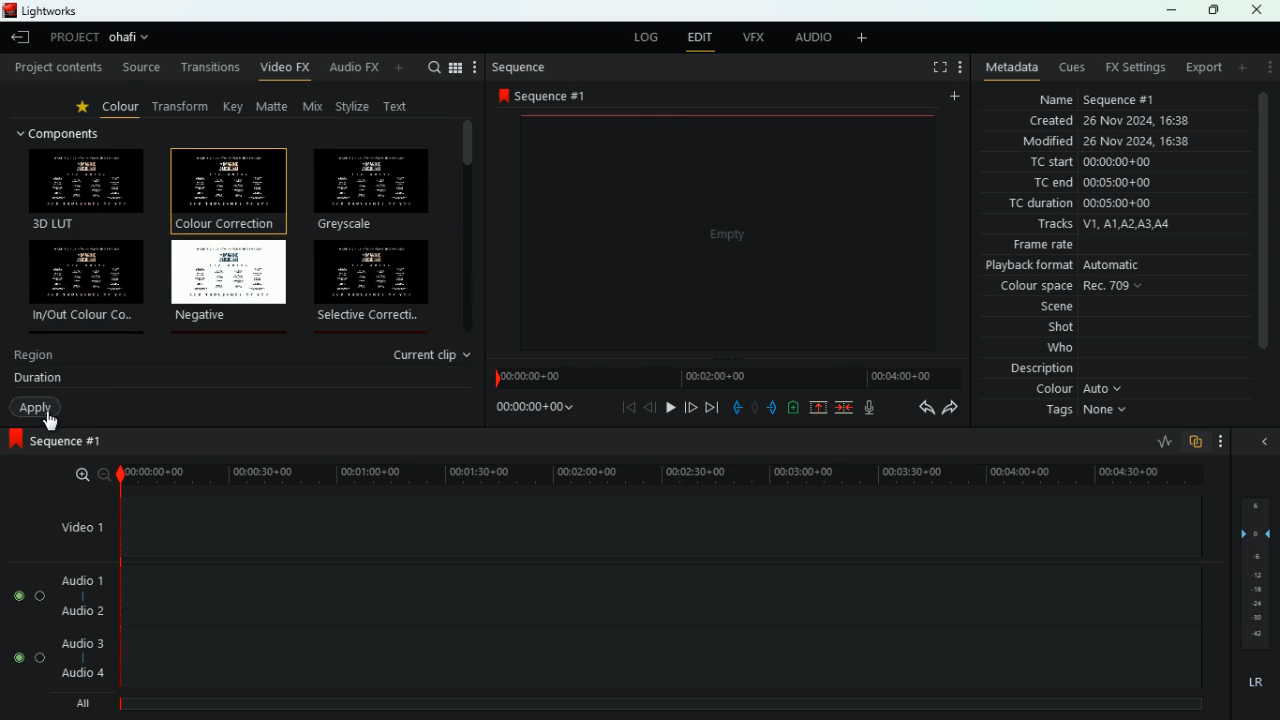  I want to click on project, so click(70, 38).